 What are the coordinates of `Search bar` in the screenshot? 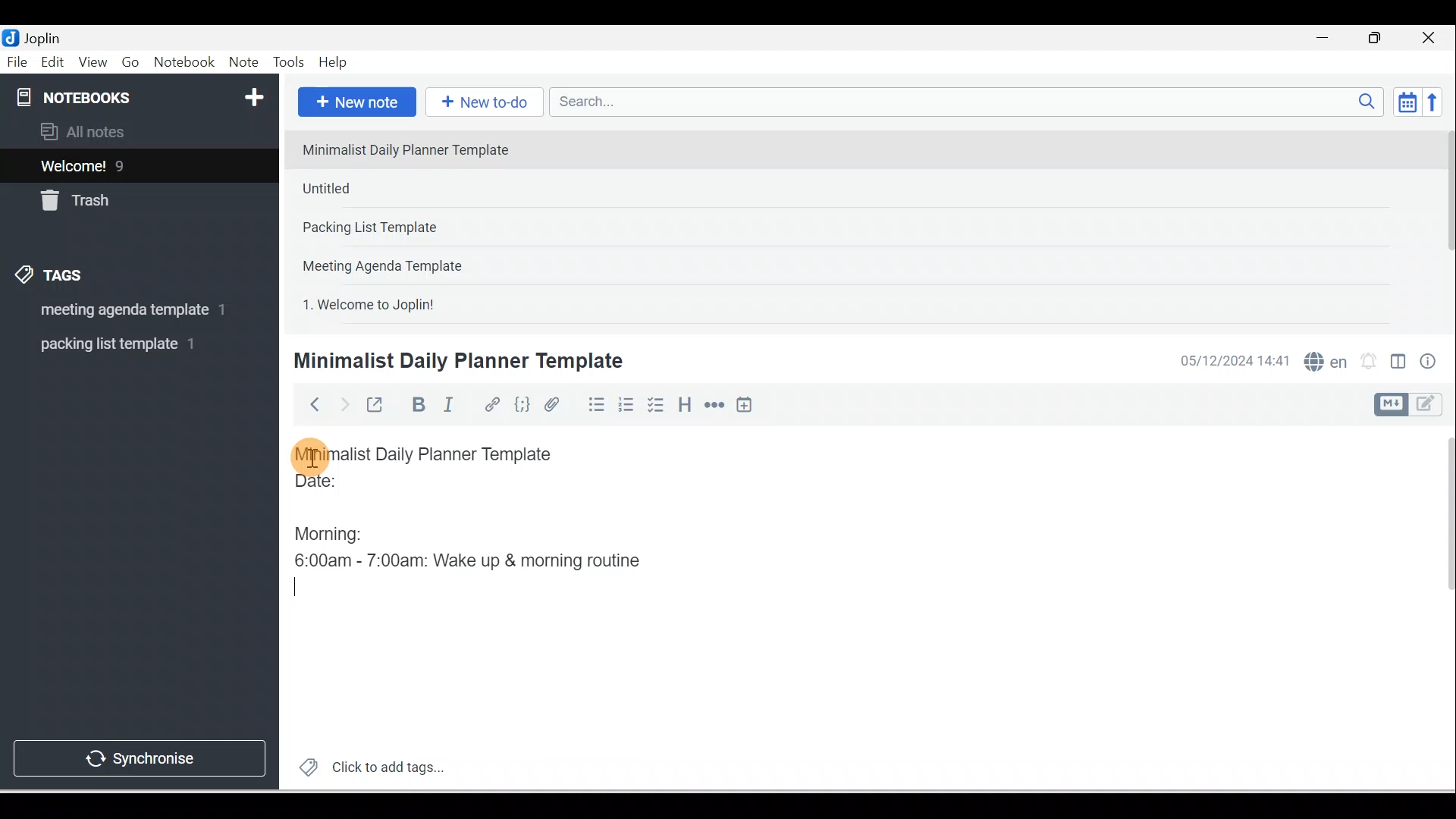 It's located at (971, 102).